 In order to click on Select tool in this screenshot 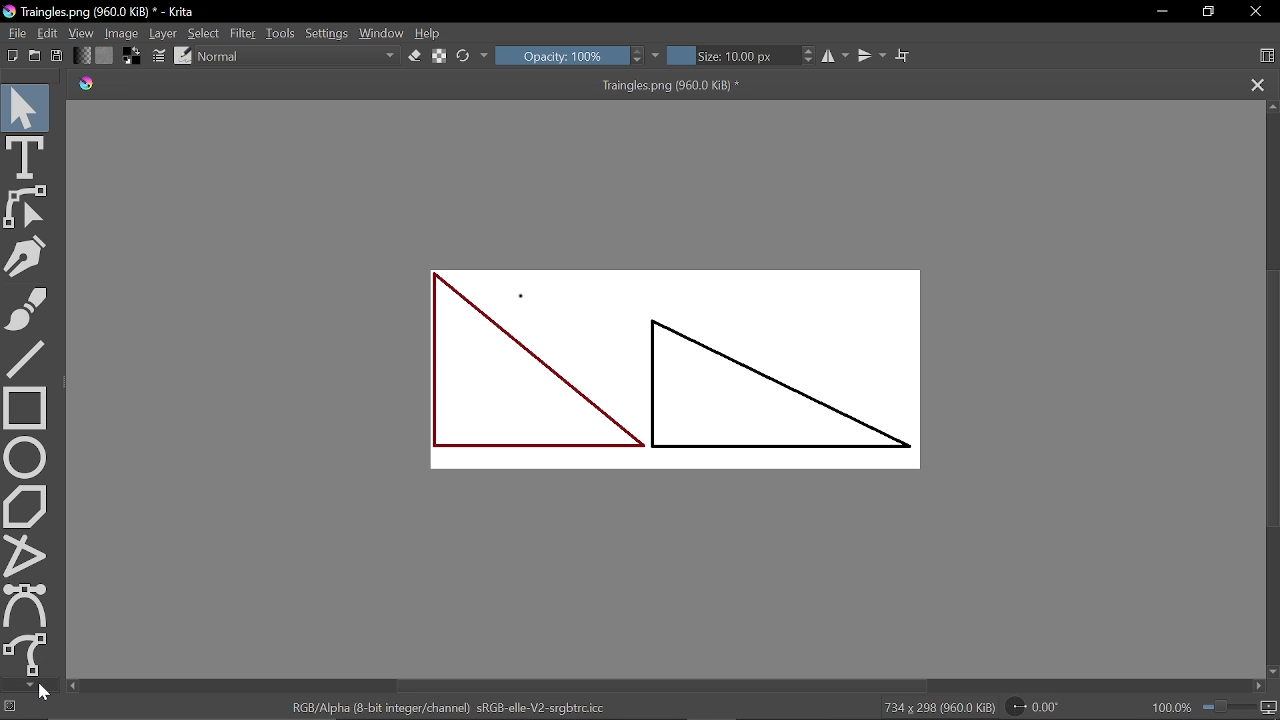, I will do `click(26, 107)`.